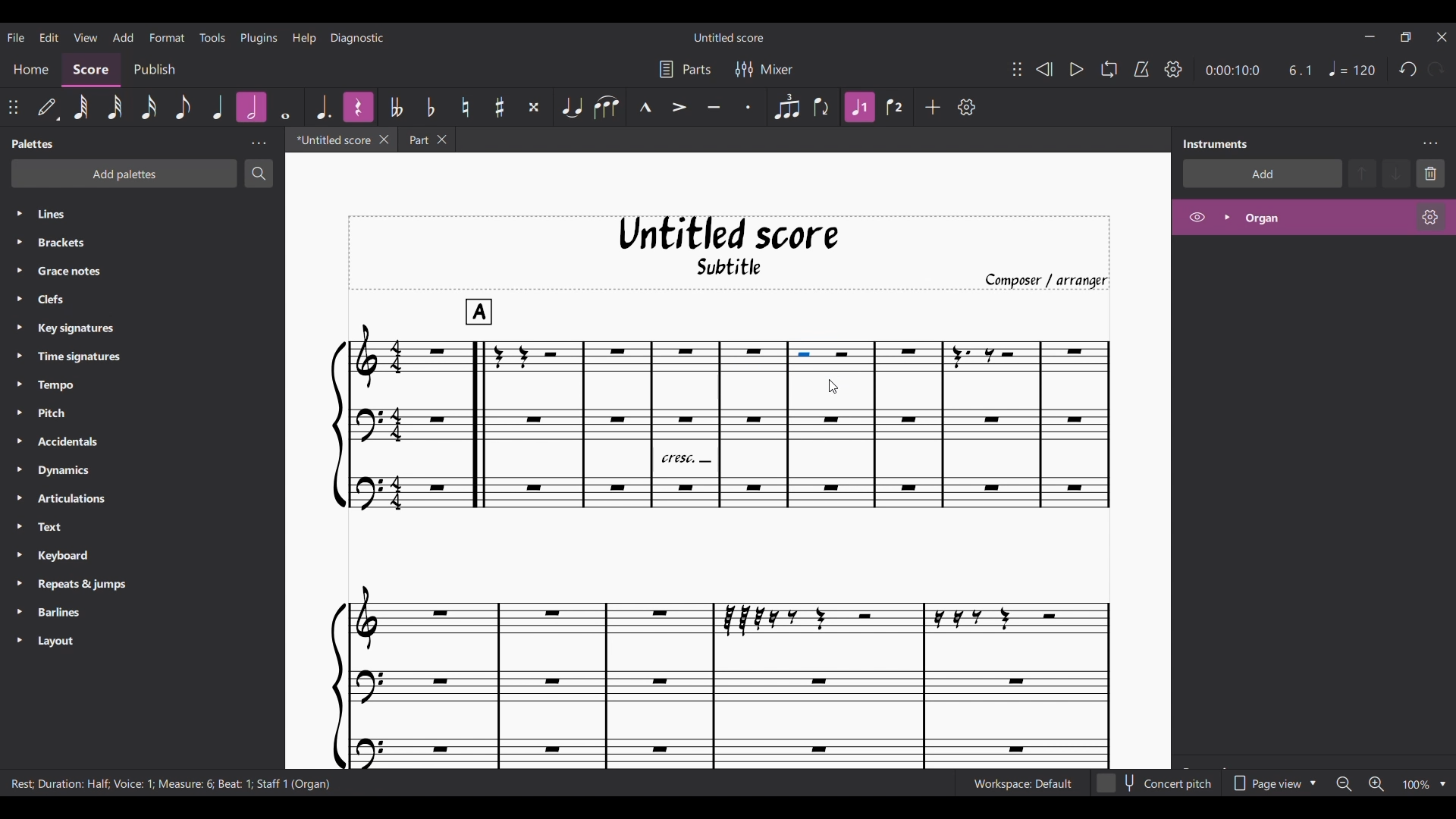 The width and height of the screenshot is (1456, 819). What do you see at coordinates (34, 143) in the screenshot?
I see `Panel title` at bounding box center [34, 143].